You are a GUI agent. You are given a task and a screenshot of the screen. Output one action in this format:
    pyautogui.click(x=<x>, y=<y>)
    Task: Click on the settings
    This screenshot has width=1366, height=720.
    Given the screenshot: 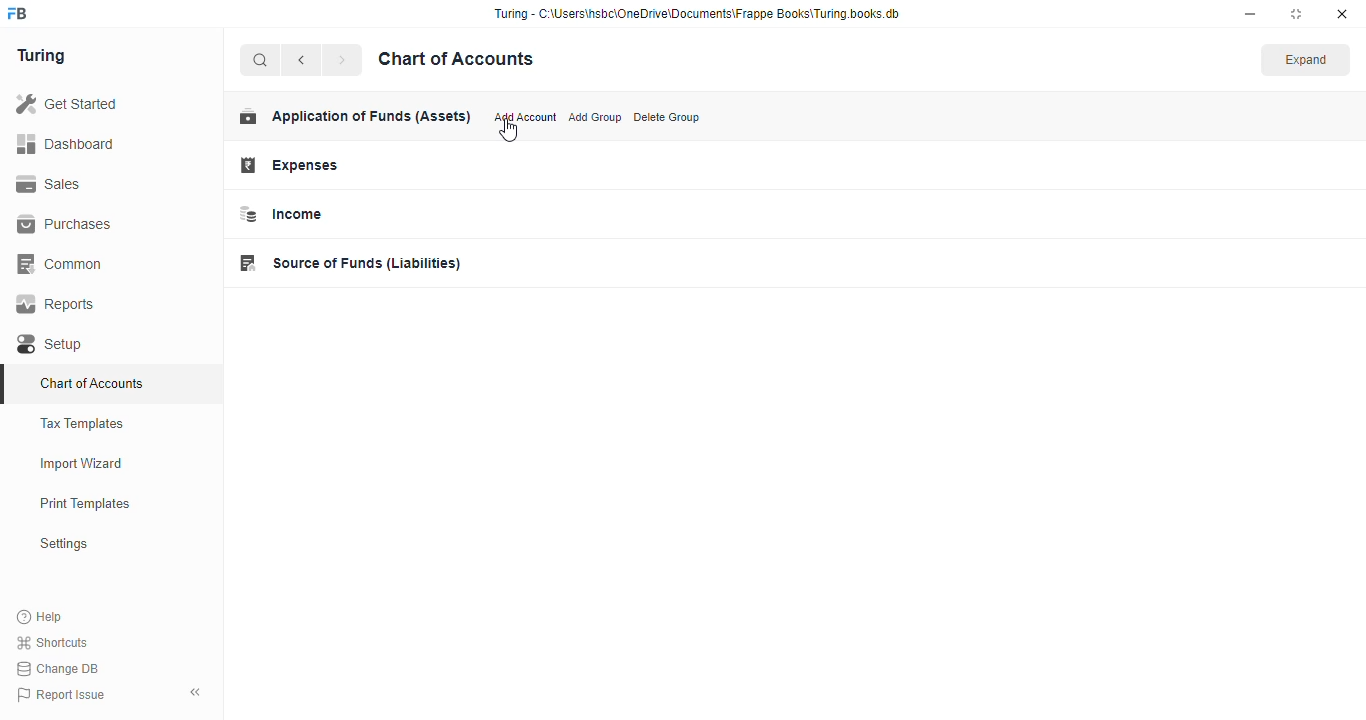 What is the action you would take?
    pyautogui.click(x=63, y=543)
    